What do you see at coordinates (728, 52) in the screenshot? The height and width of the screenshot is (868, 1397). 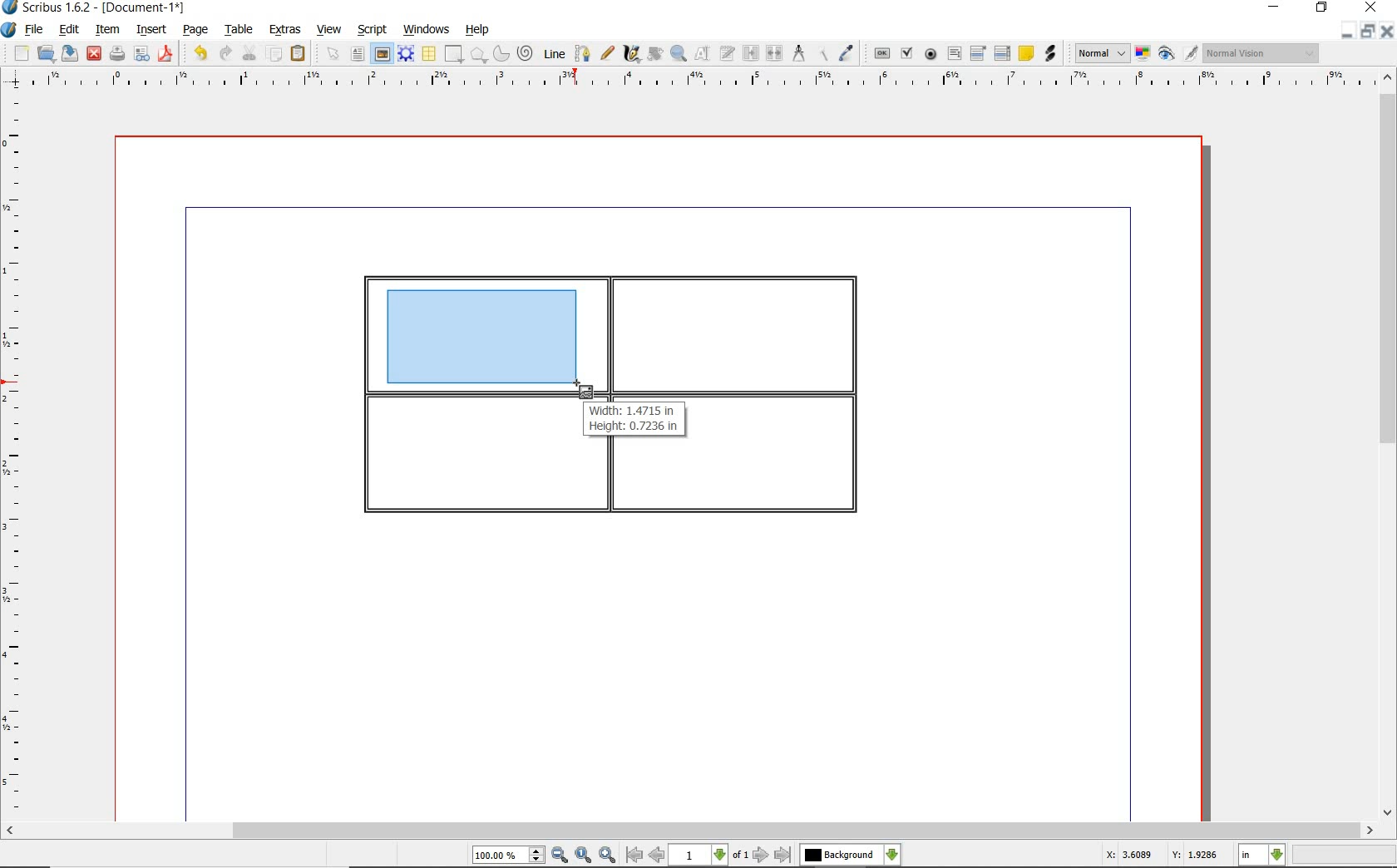 I see `edit text with story editor` at bounding box center [728, 52].